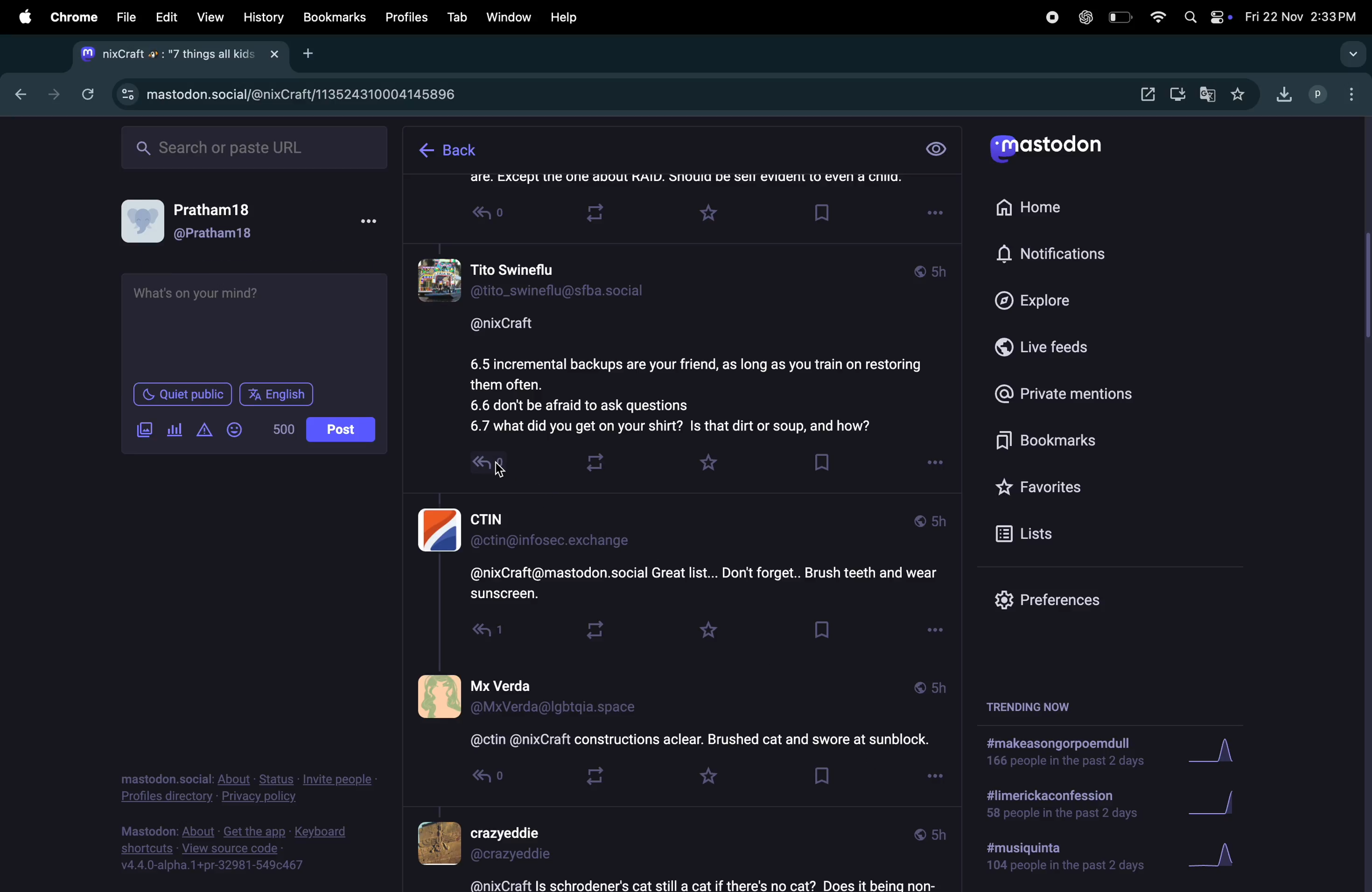 The image size is (1372, 892). I want to click on Bookmark, so click(821, 778).